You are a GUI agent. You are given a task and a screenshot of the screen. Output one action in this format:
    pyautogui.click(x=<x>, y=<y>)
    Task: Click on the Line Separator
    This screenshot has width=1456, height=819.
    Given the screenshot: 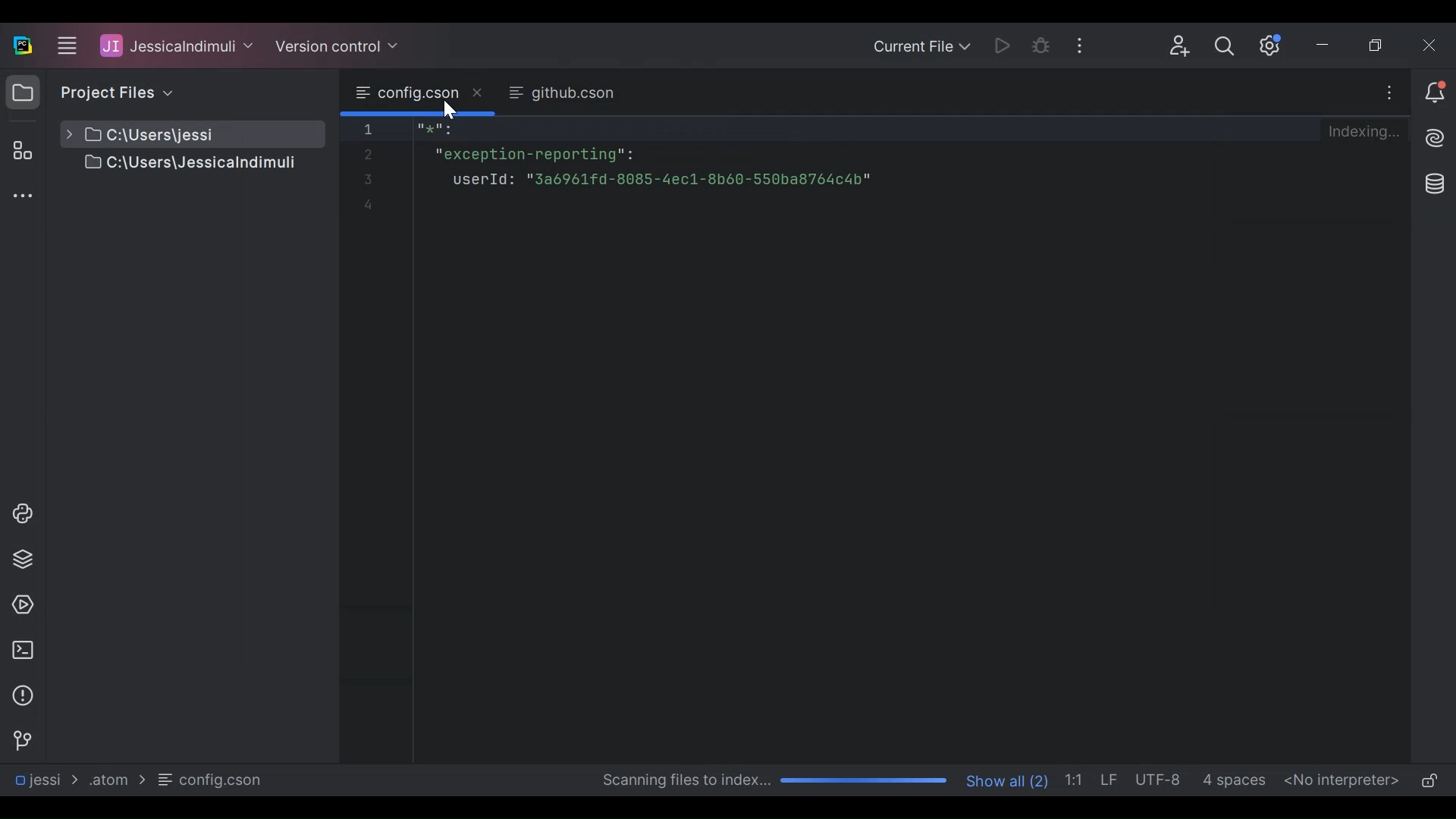 What is the action you would take?
    pyautogui.click(x=1111, y=780)
    